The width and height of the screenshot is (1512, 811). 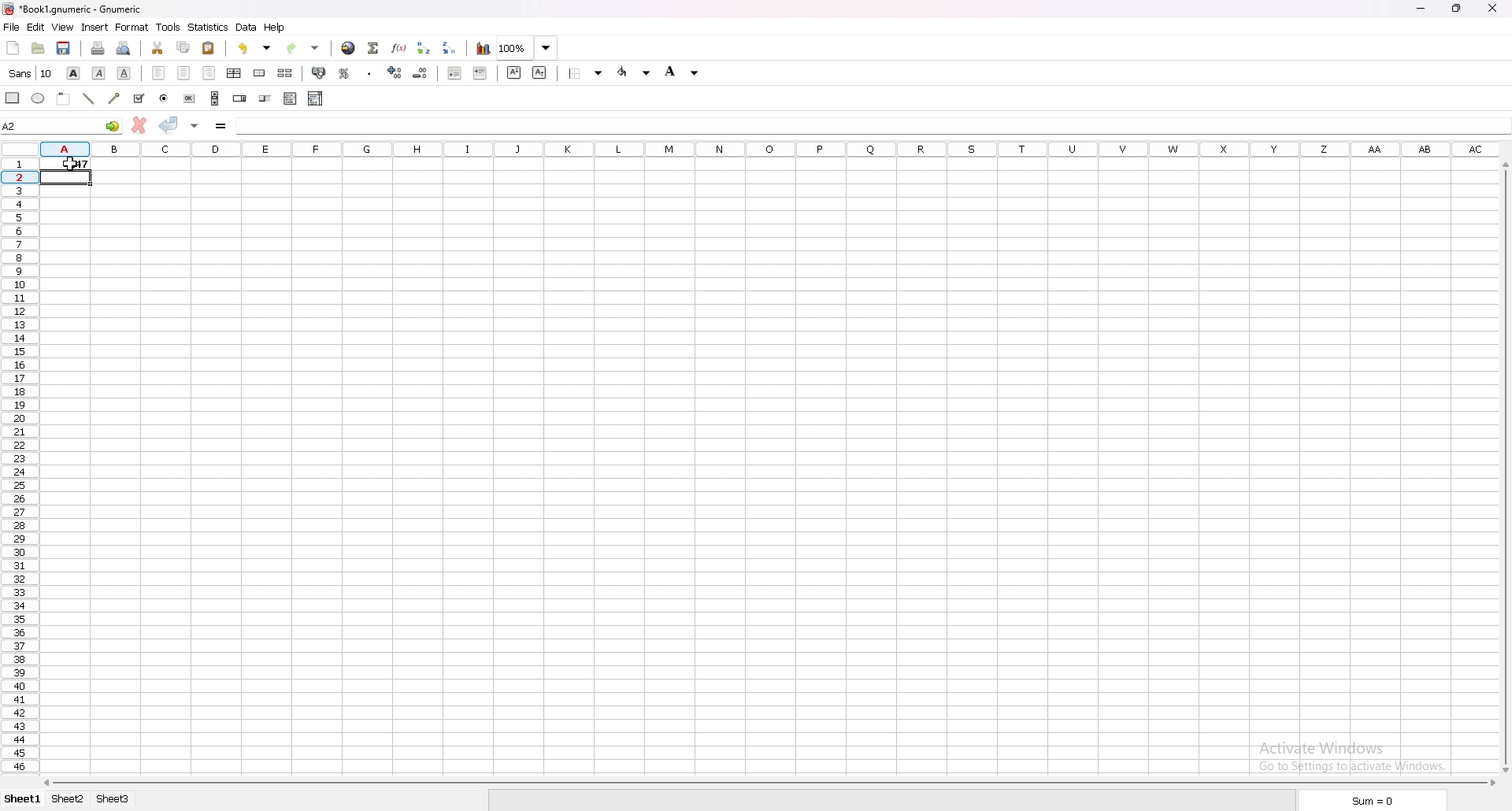 I want to click on left align, so click(x=158, y=73).